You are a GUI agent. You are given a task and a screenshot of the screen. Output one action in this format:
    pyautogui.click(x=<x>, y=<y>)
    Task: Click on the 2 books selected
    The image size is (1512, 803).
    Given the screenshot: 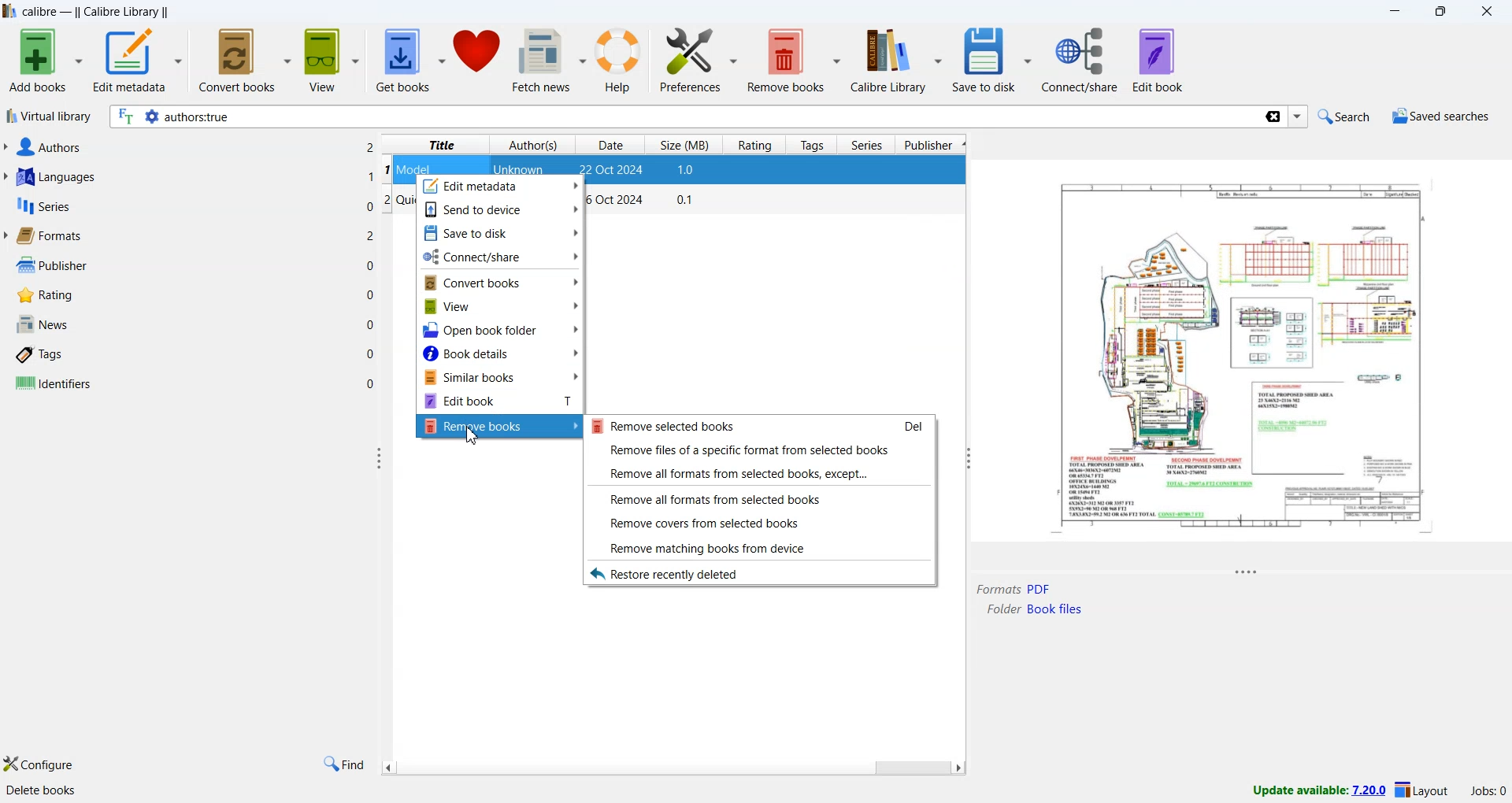 What is the action you would take?
    pyautogui.click(x=258, y=793)
    